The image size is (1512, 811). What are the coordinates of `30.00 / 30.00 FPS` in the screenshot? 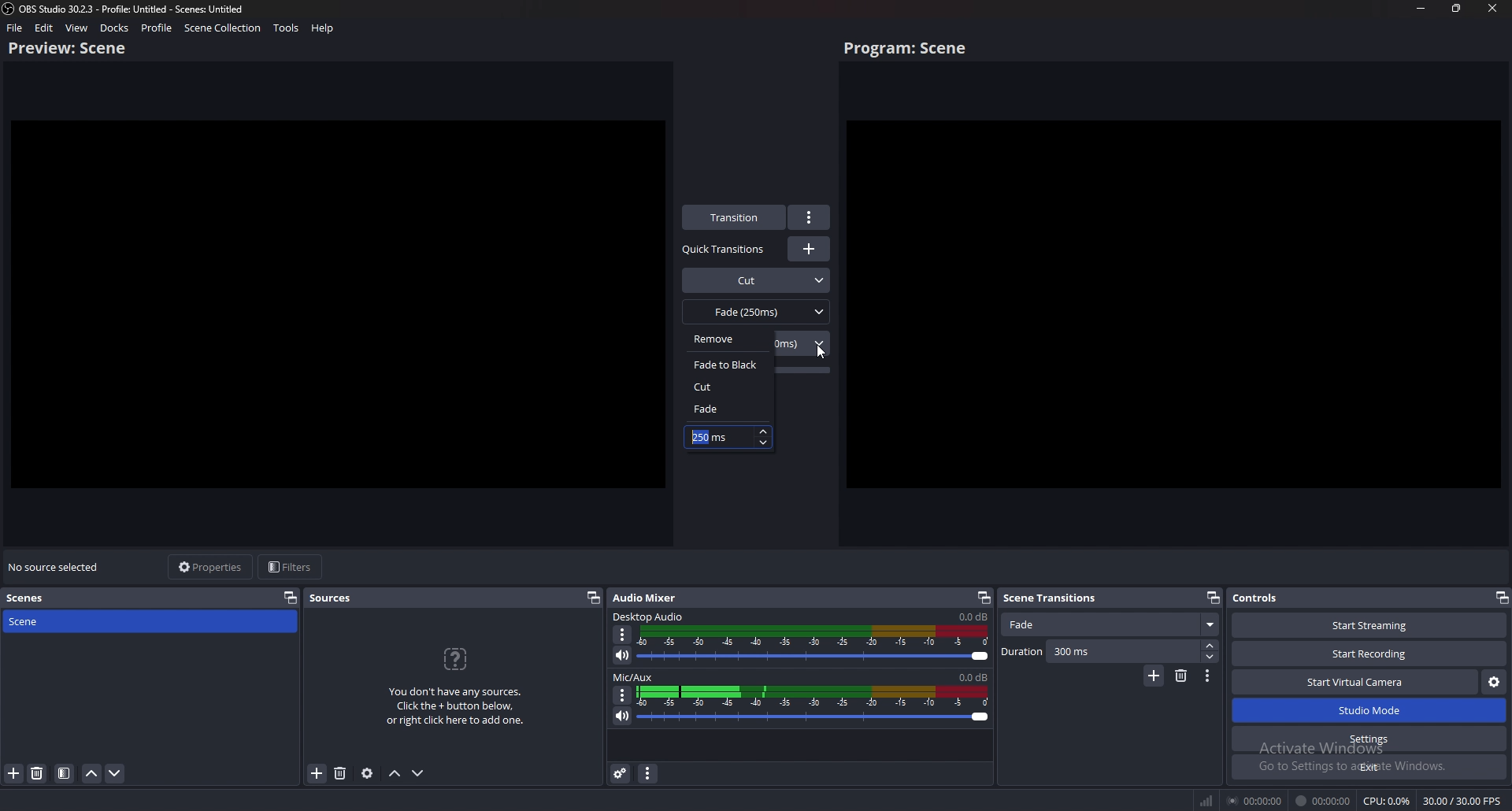 It's located at (1462, 800).